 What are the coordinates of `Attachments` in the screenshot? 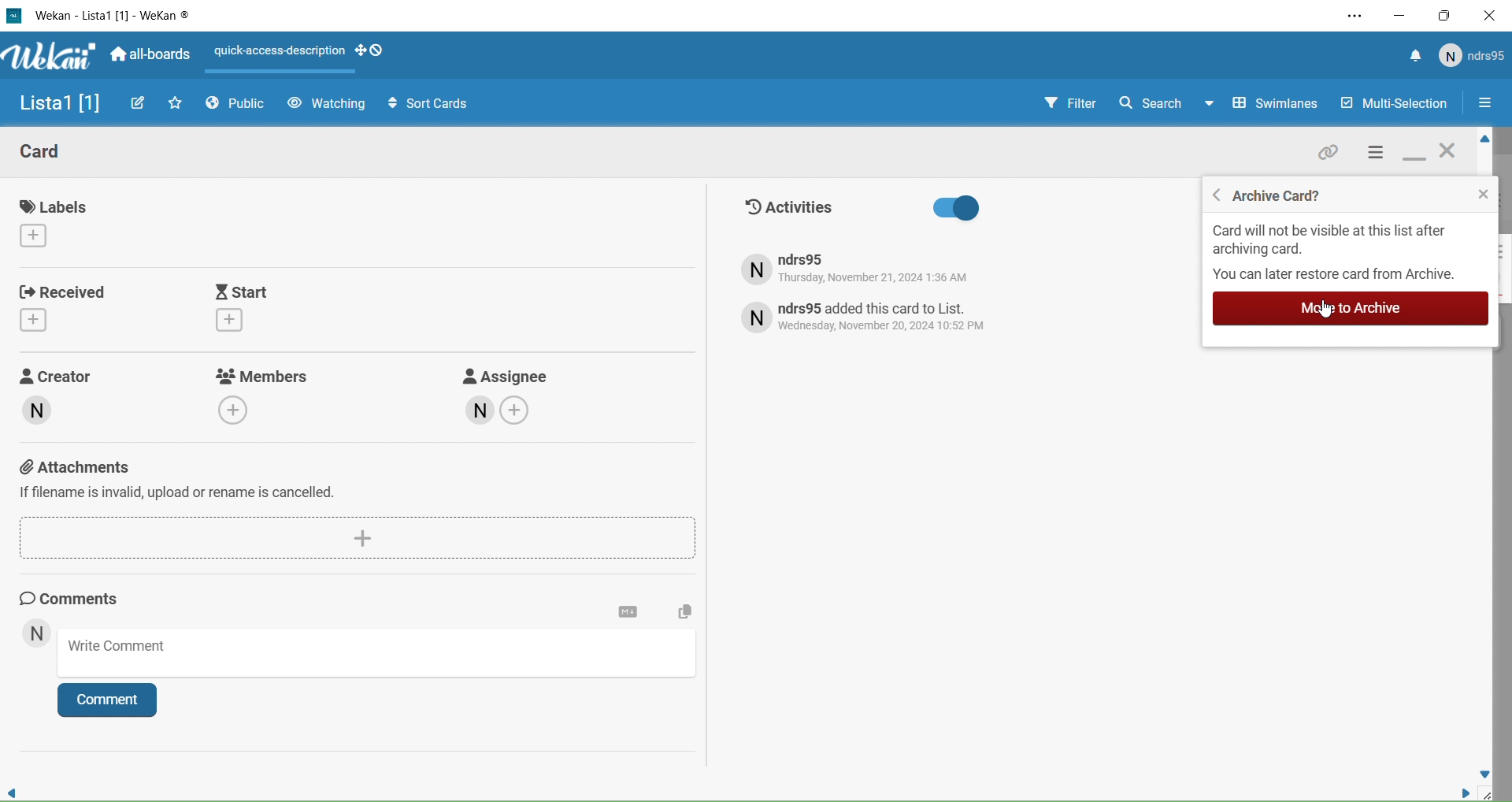 It's located at (358, 480).